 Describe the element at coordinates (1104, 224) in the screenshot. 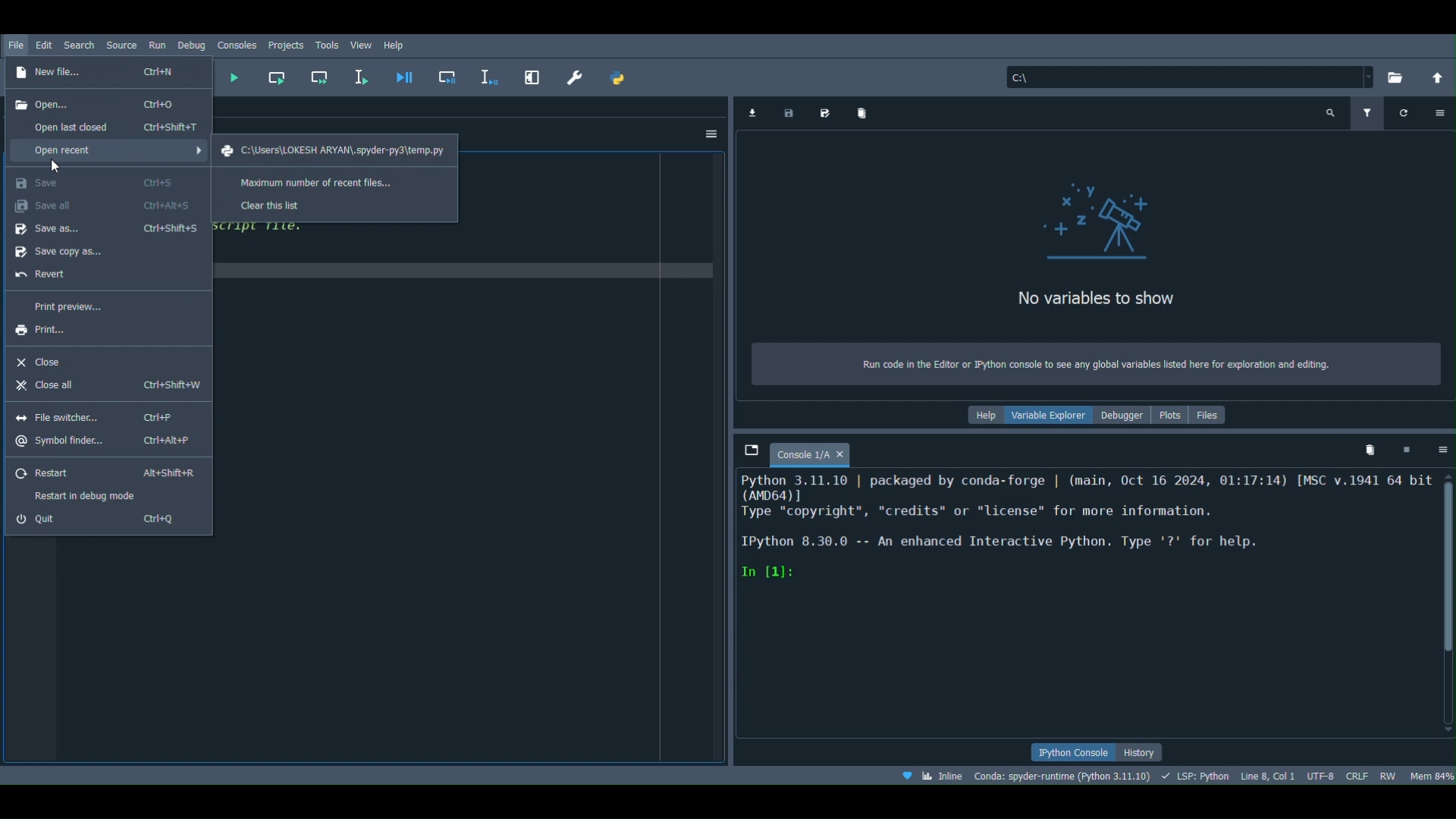

I see `icon` at that location.